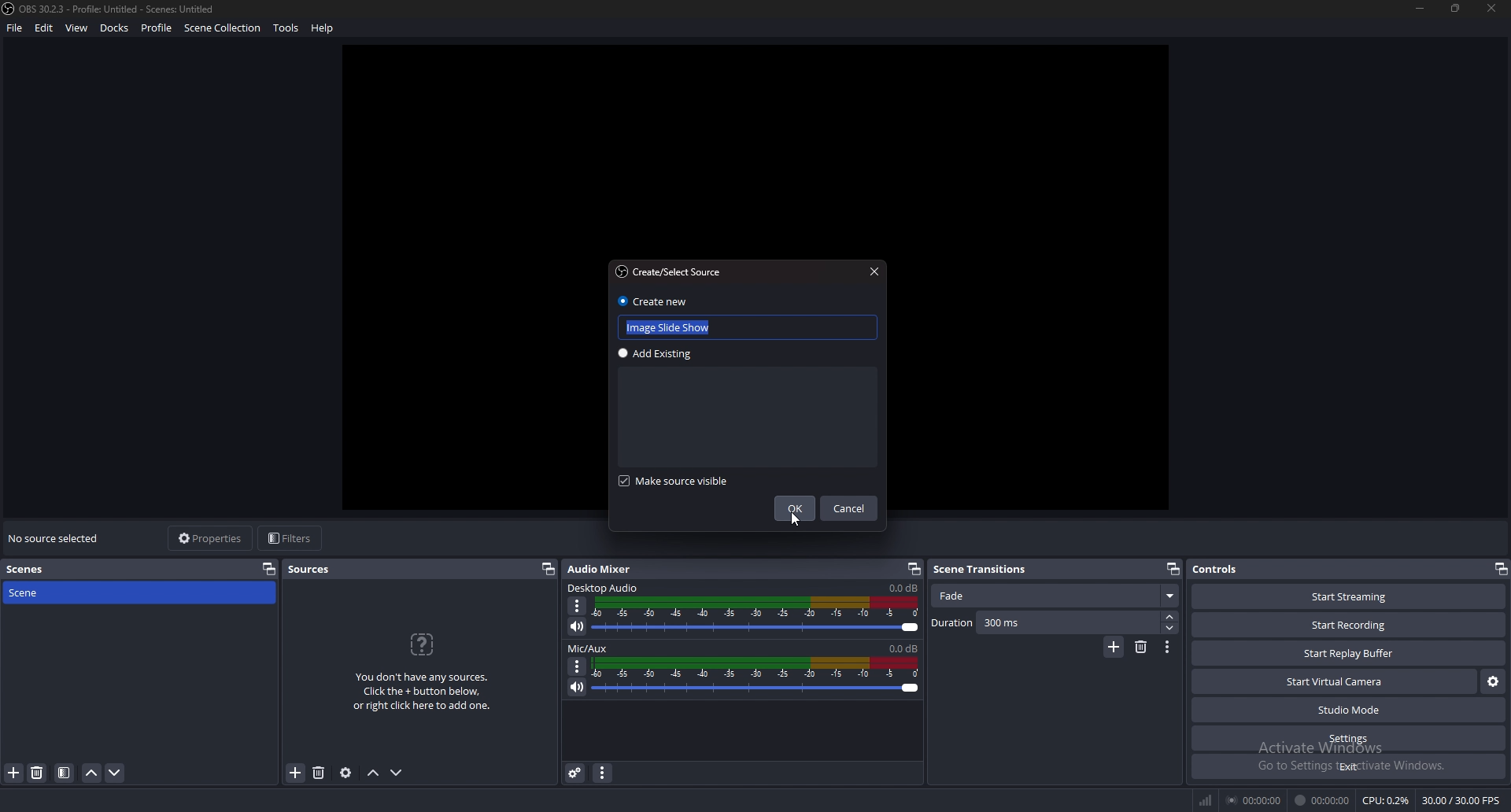  I want to click on cancel, so click(851, 509).